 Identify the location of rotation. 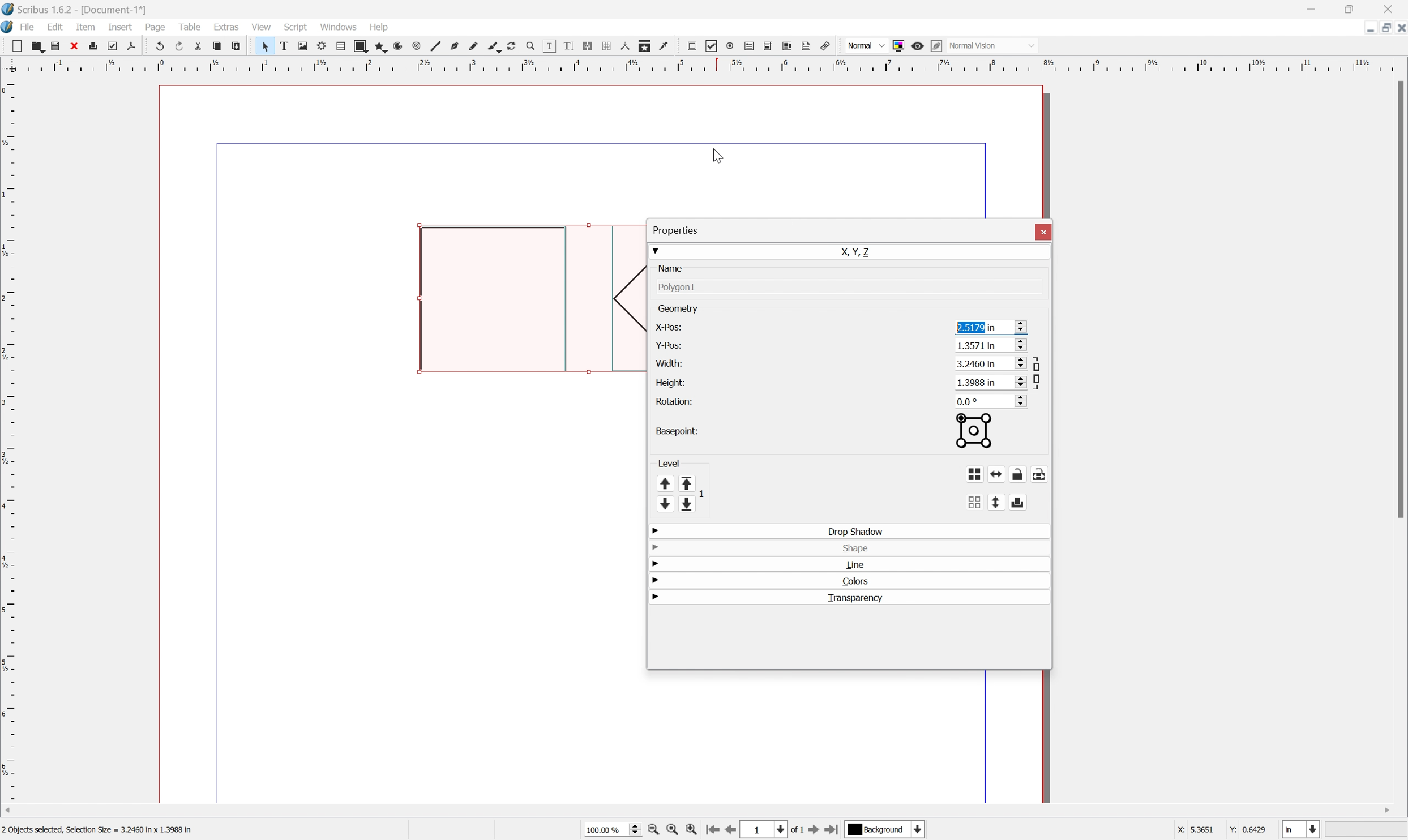
(675, 400).